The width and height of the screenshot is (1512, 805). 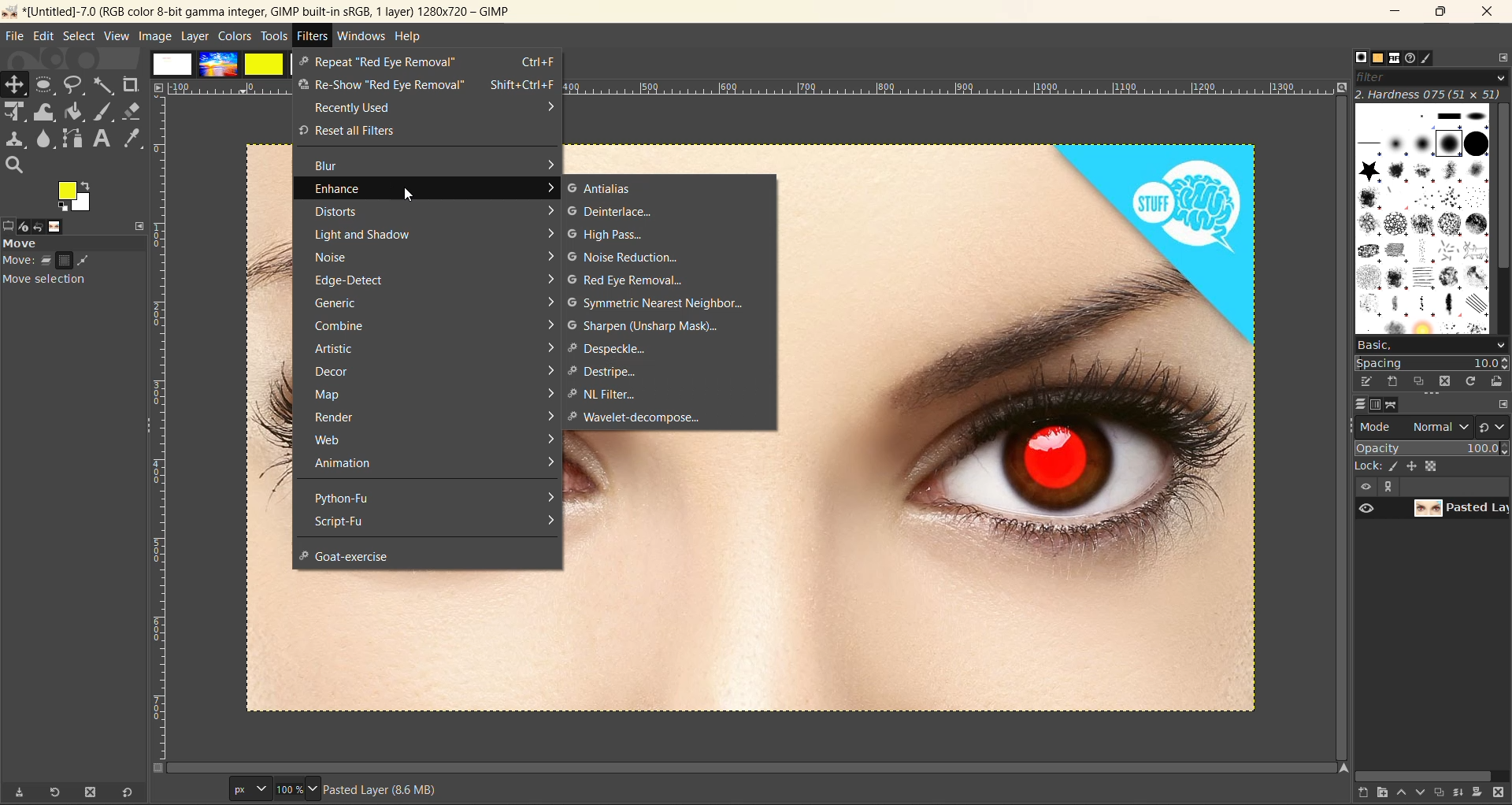 I want to click on generic, so click(x=433, y=302).